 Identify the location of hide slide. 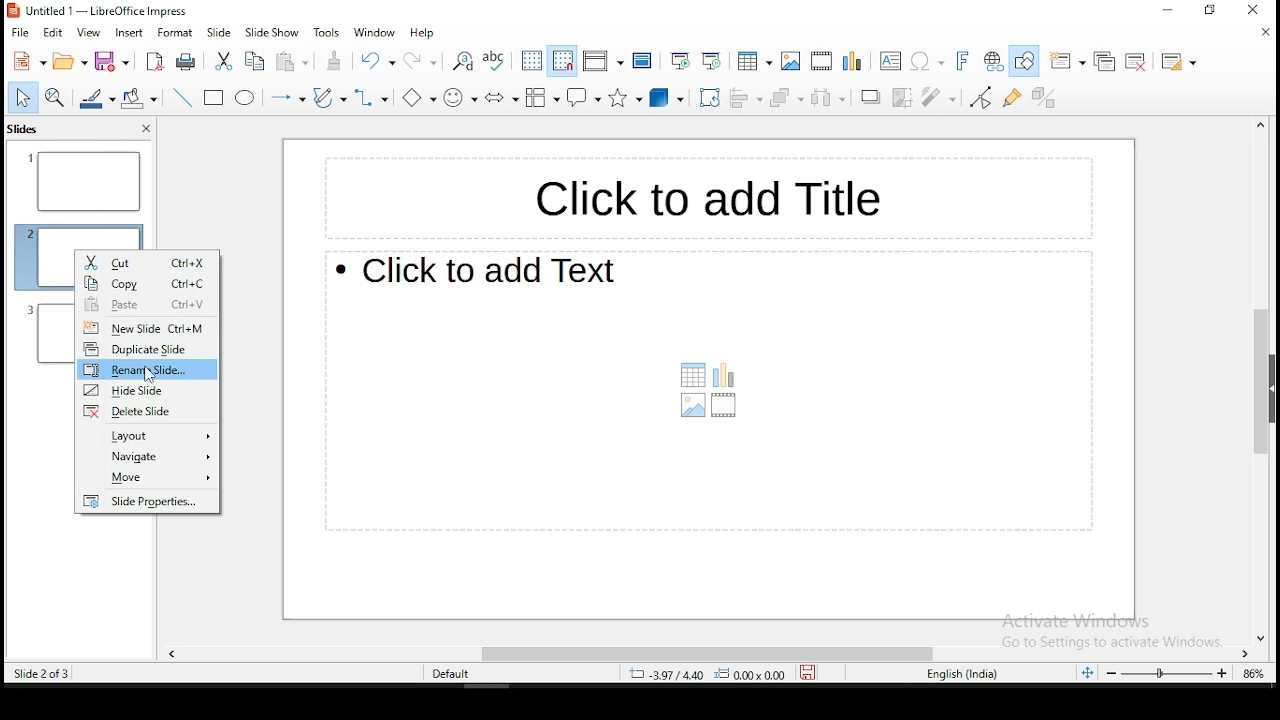
(148, 390).